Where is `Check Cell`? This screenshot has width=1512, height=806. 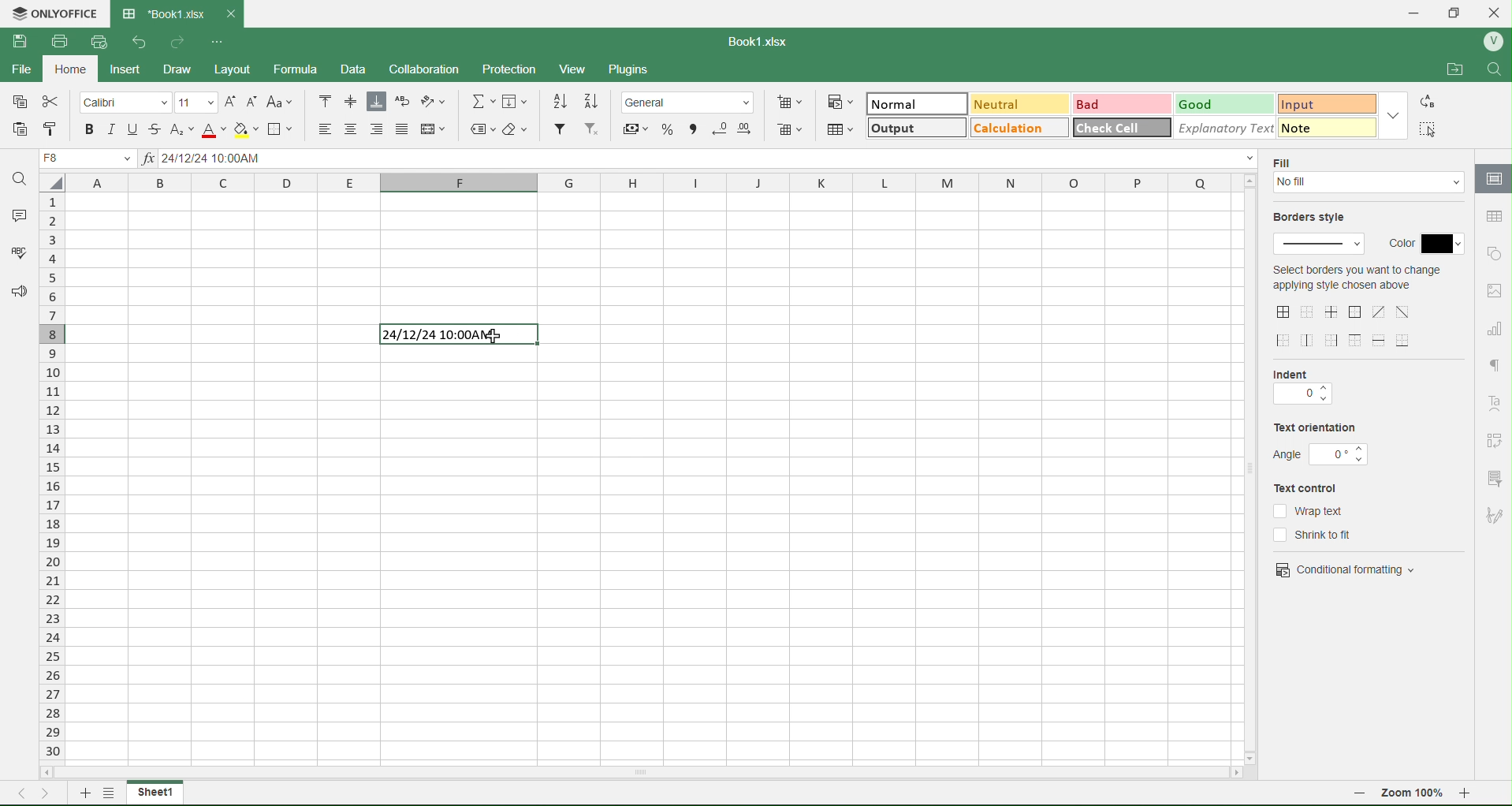 Check Cell is located at coordinates (1111, 129).